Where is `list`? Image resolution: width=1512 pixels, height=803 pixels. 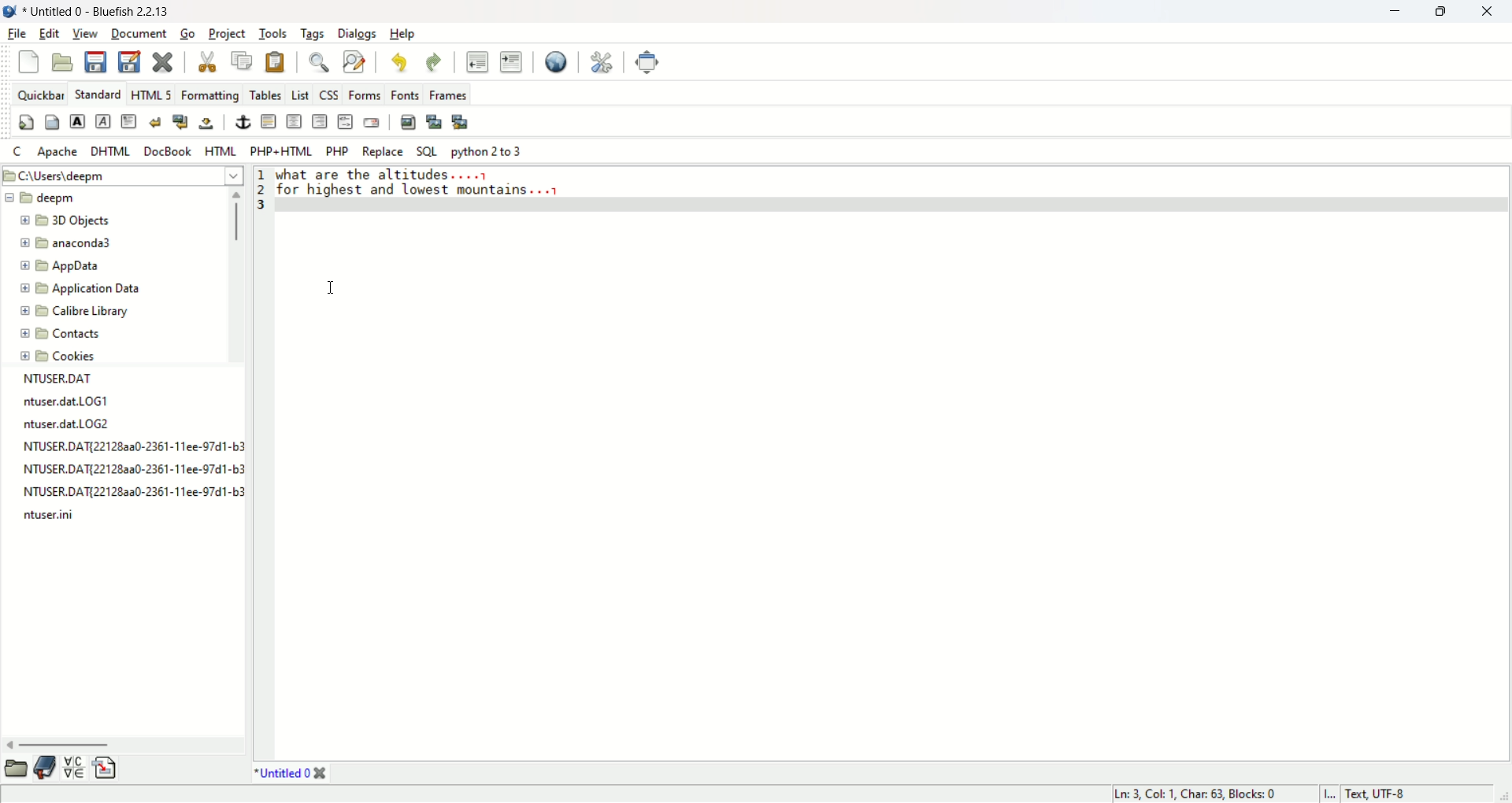 list is located at coordinates (300, 91).